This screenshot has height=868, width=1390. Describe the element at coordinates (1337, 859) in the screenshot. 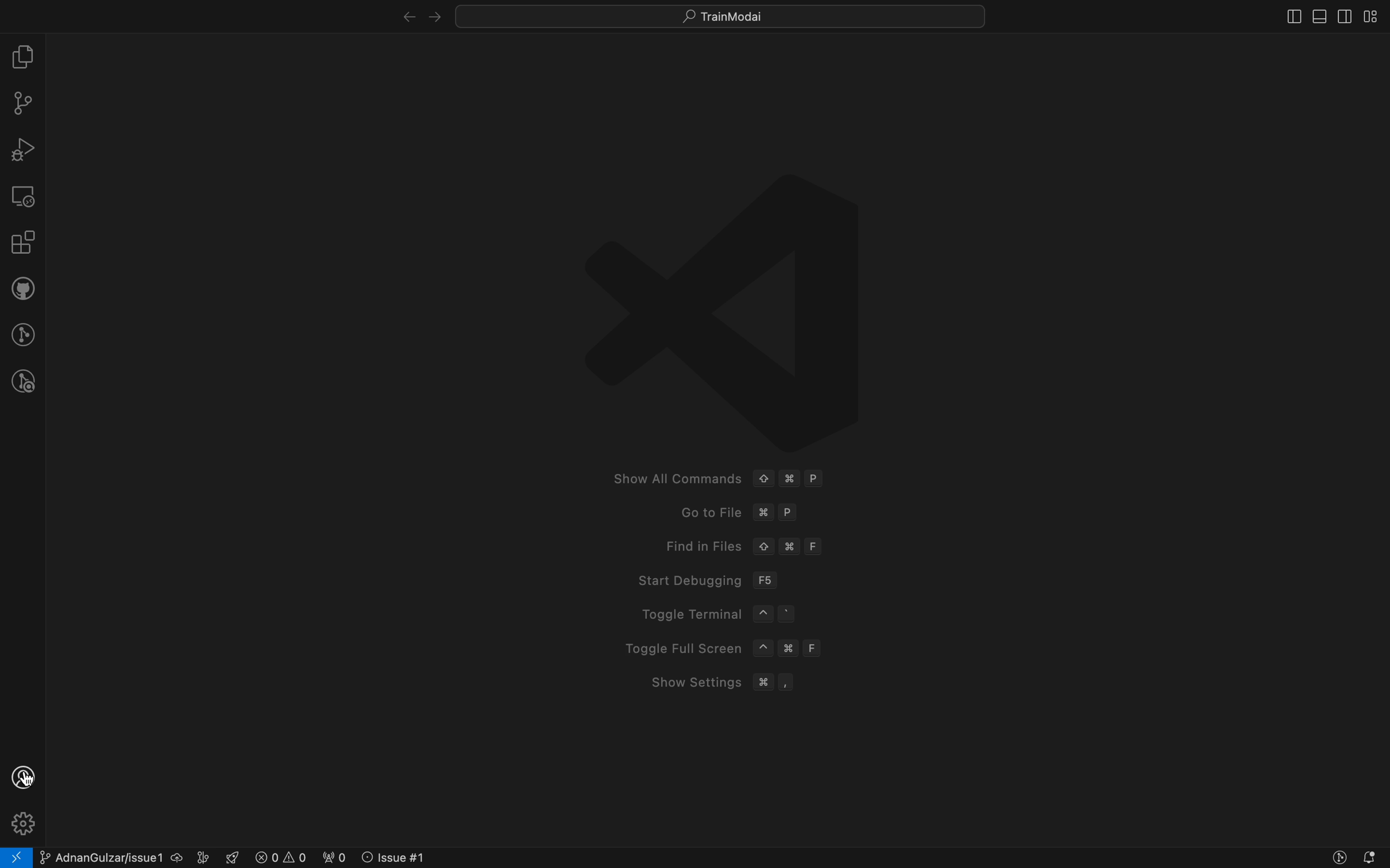

I see `` at that location.